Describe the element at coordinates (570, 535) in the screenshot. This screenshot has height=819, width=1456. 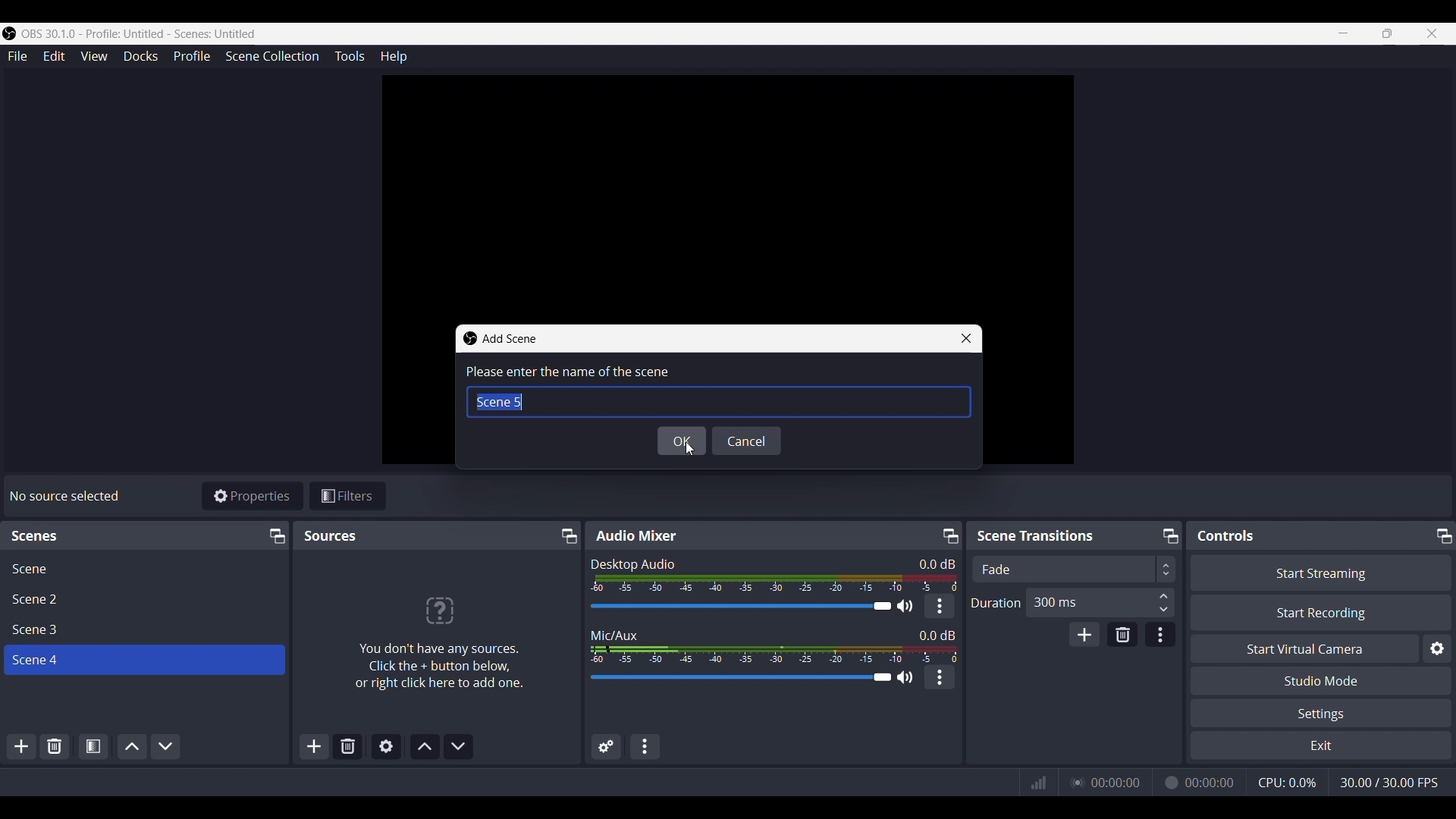
I see `Minimize` at that location.